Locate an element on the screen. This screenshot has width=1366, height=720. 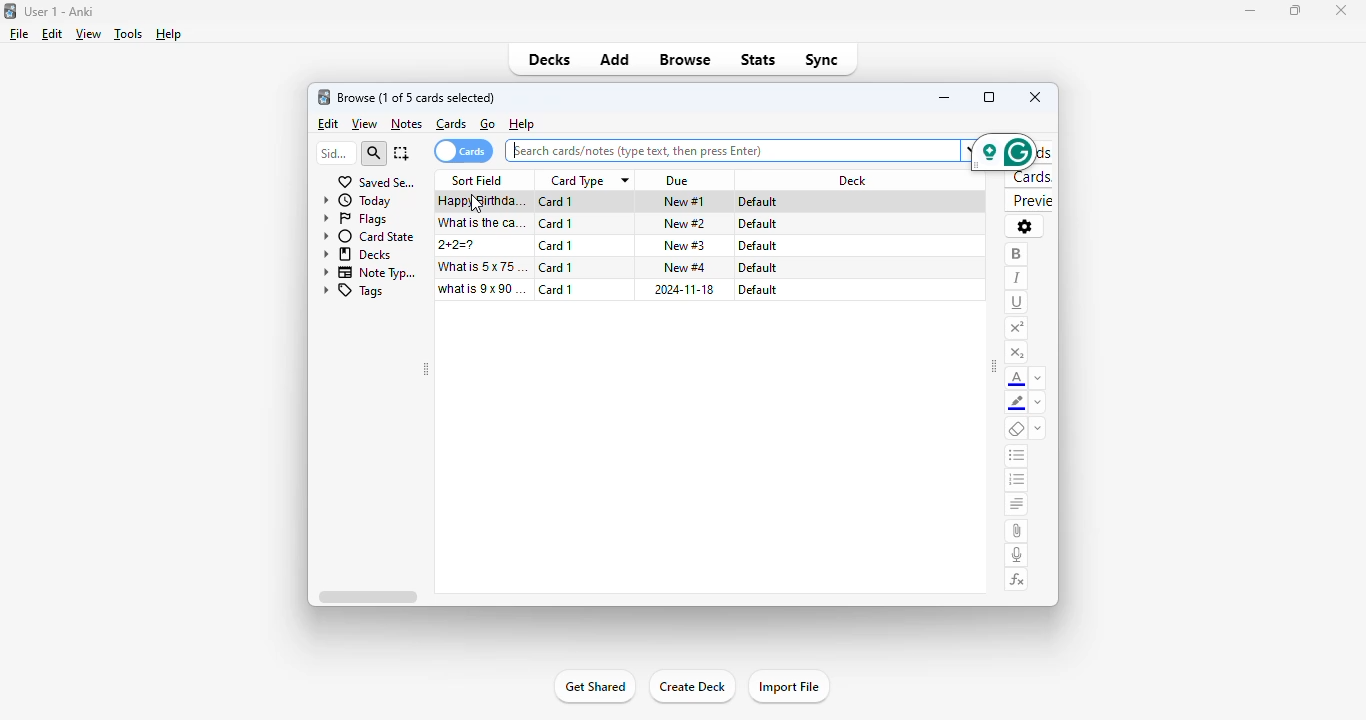
cursor is located at coordinates (476, 205).